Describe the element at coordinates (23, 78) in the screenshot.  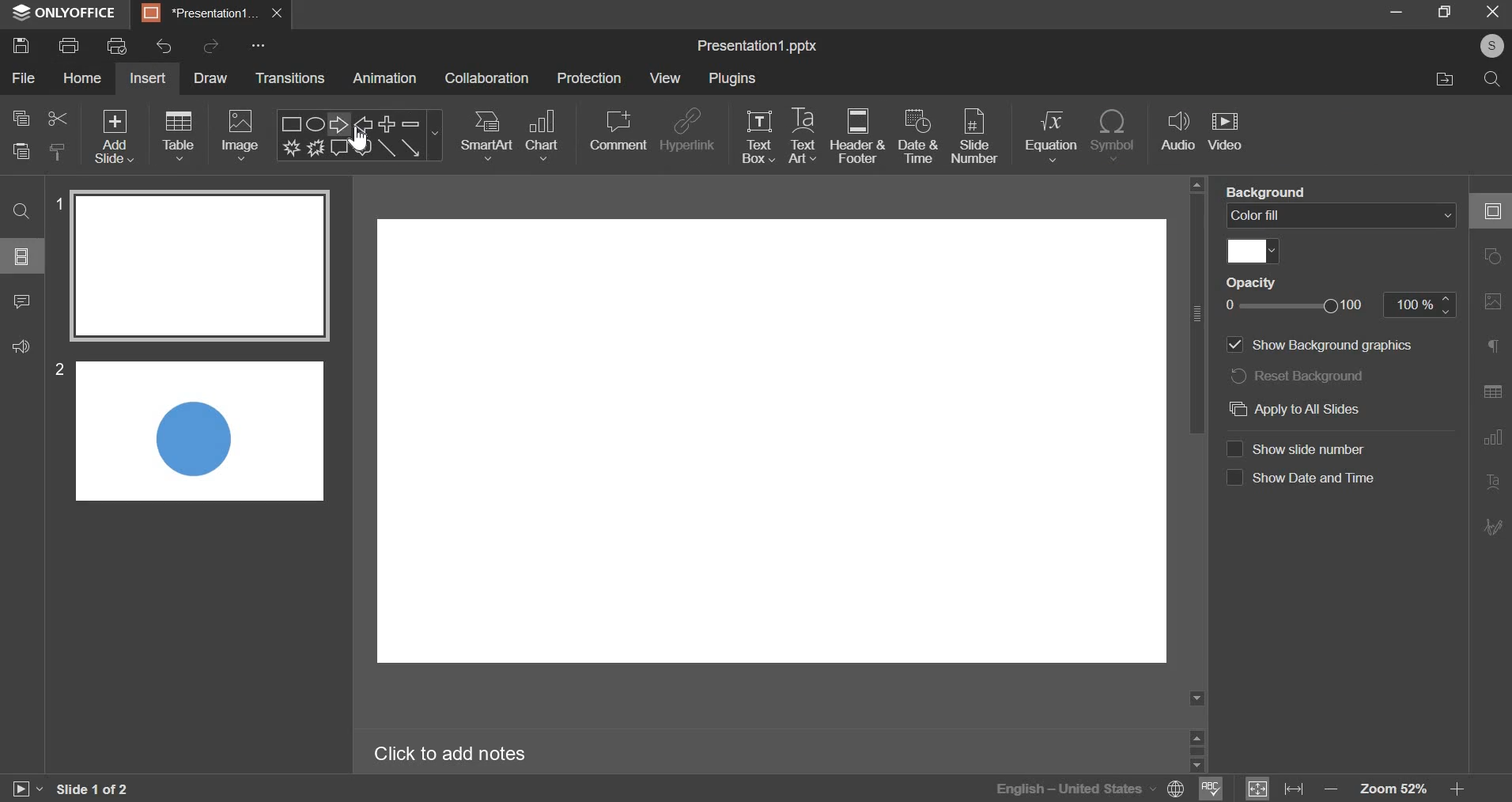
I see `file` at that location.